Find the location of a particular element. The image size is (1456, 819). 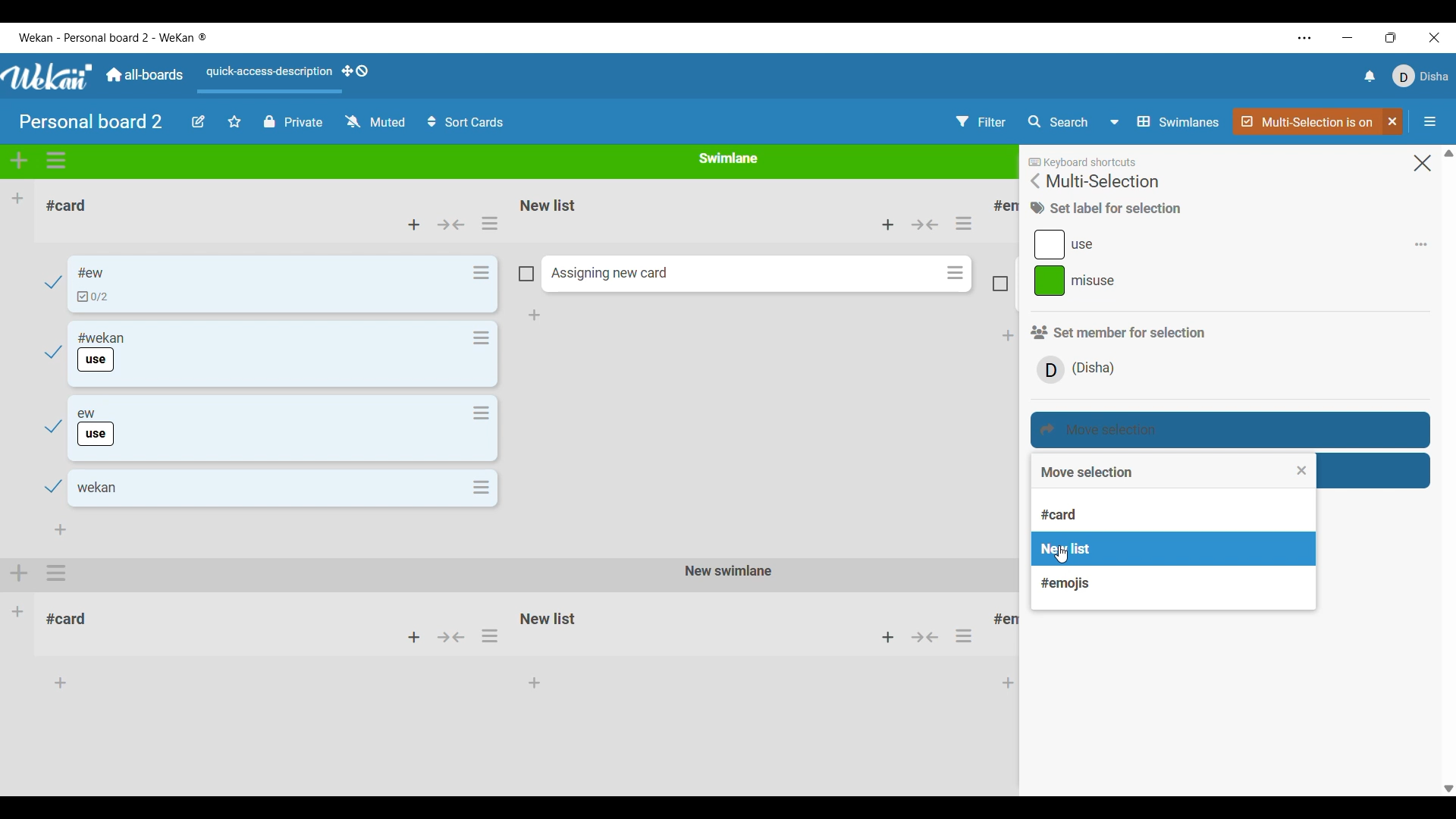

Swimlane actions is located at coordinates (56, 161).